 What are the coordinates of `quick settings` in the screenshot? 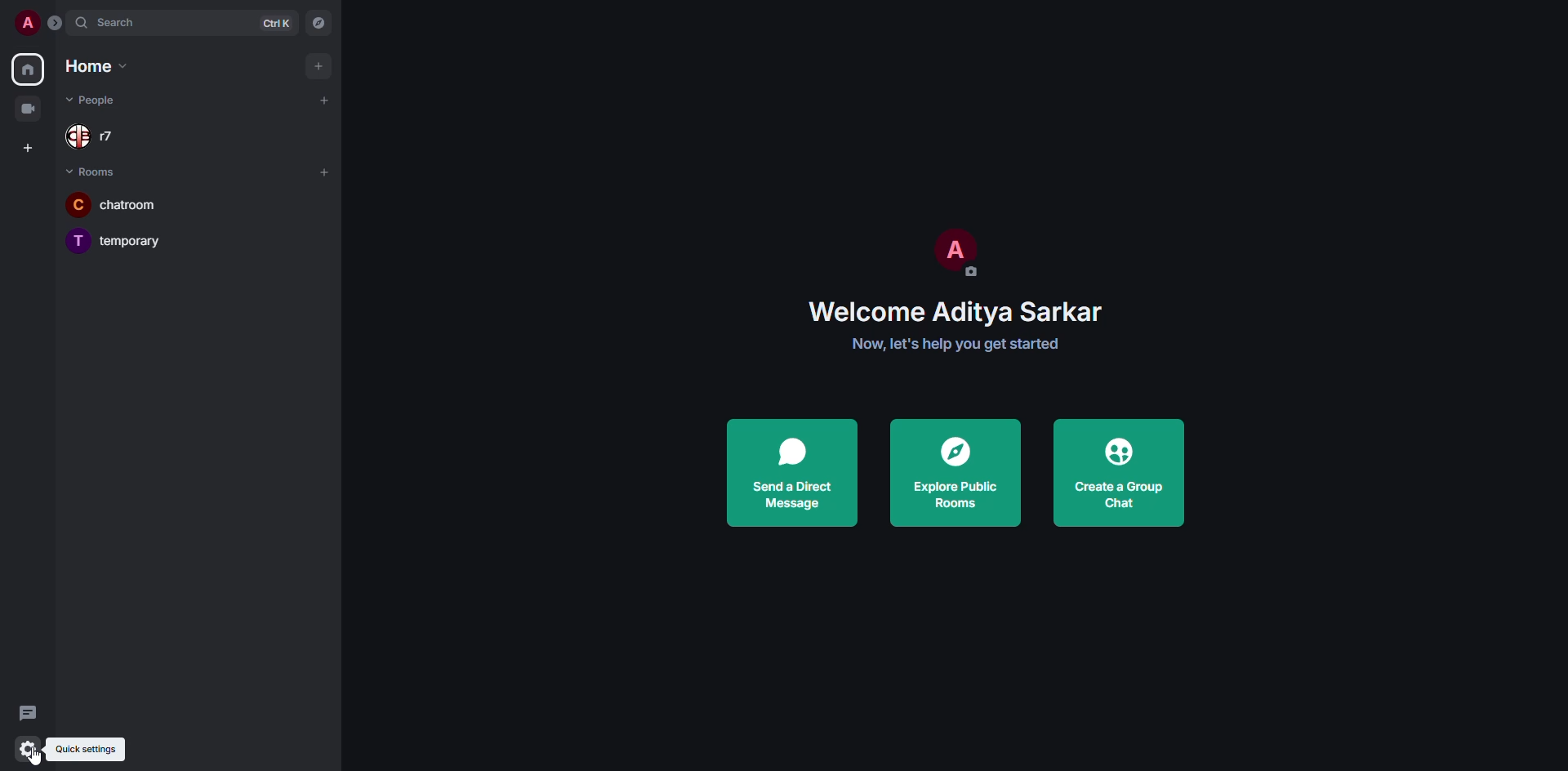 It's located at (26, 749).